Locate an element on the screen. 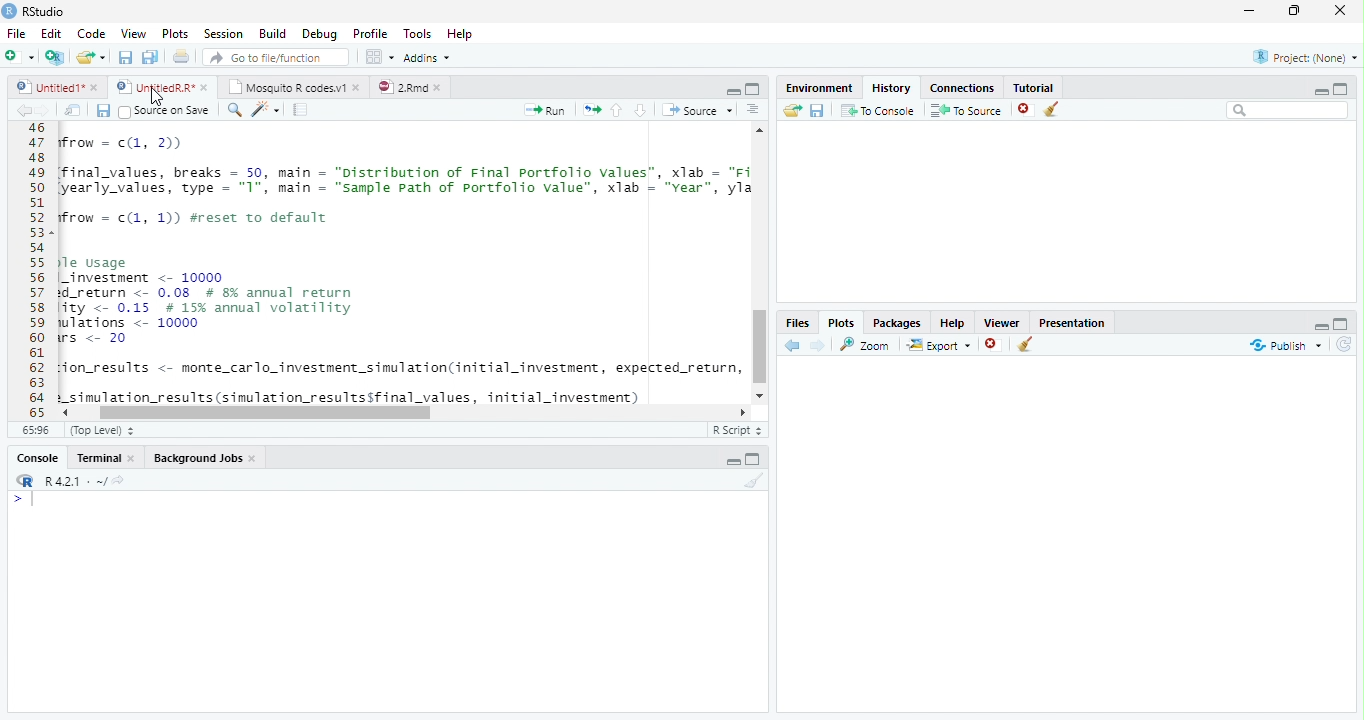  Debug is located at coordinates (318, 34).